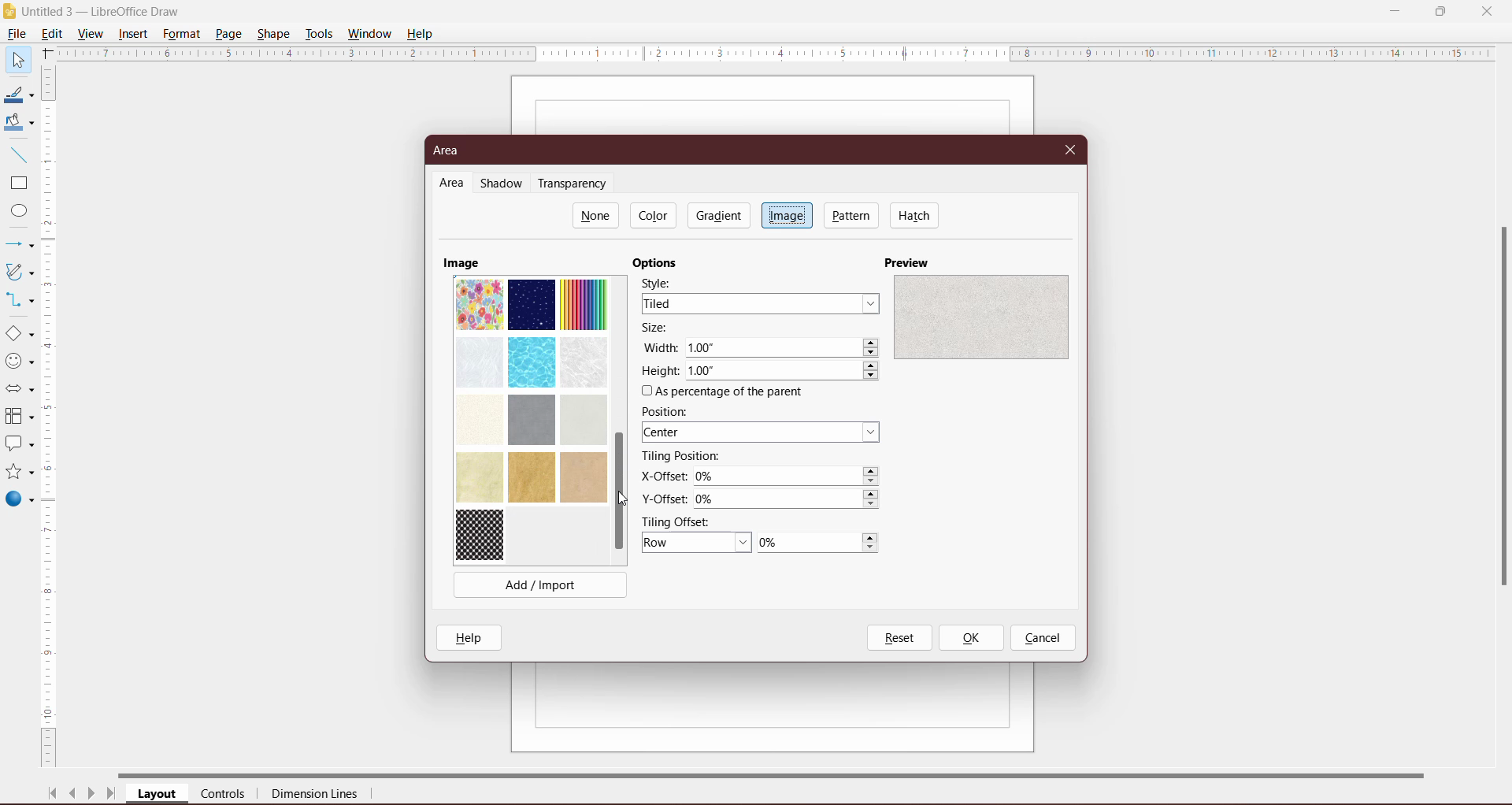  I want to click on Restore Down, so click(1440, 10).